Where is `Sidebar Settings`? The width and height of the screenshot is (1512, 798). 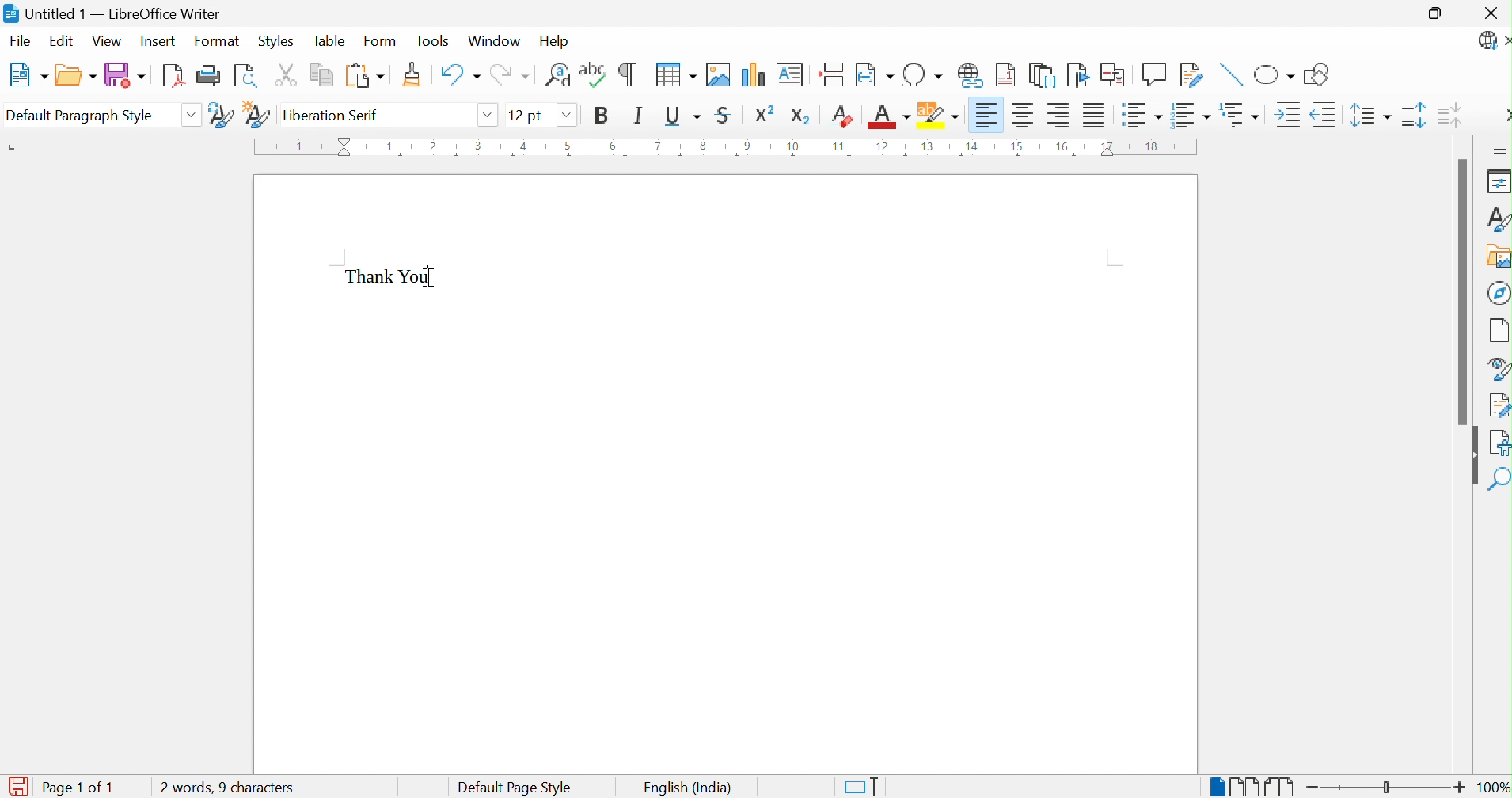 Sidebar Settings is located at coordinates (1499, 149).